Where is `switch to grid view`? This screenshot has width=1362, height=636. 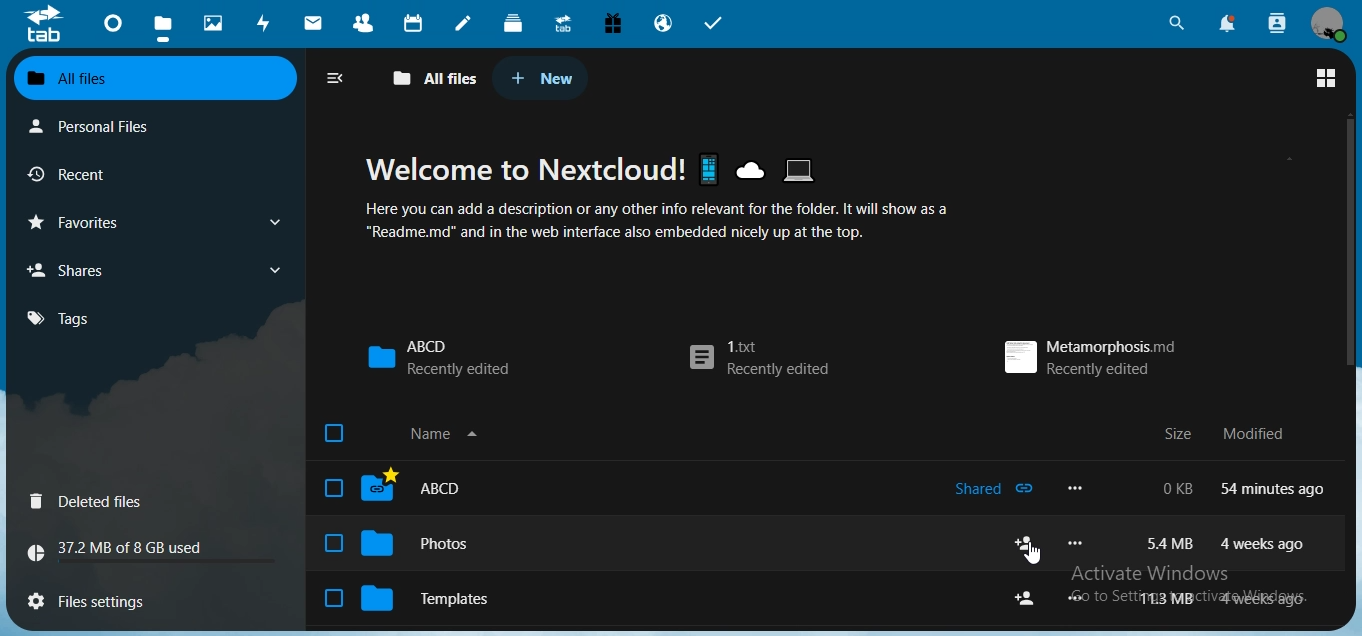 switch to grid view is located at coordinates (1326, 80).